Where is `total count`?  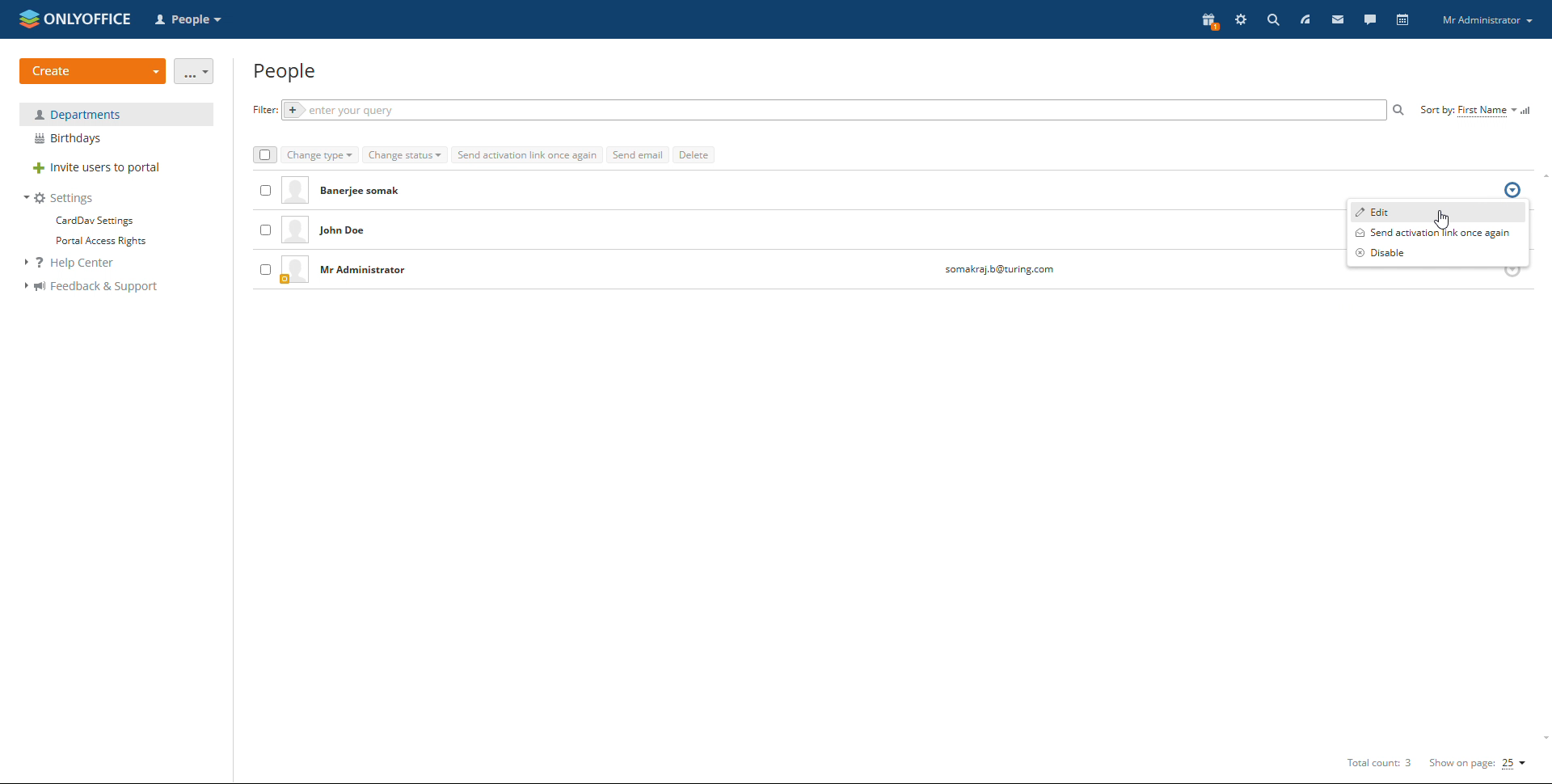 total count is located at coordinates (1377, 764).